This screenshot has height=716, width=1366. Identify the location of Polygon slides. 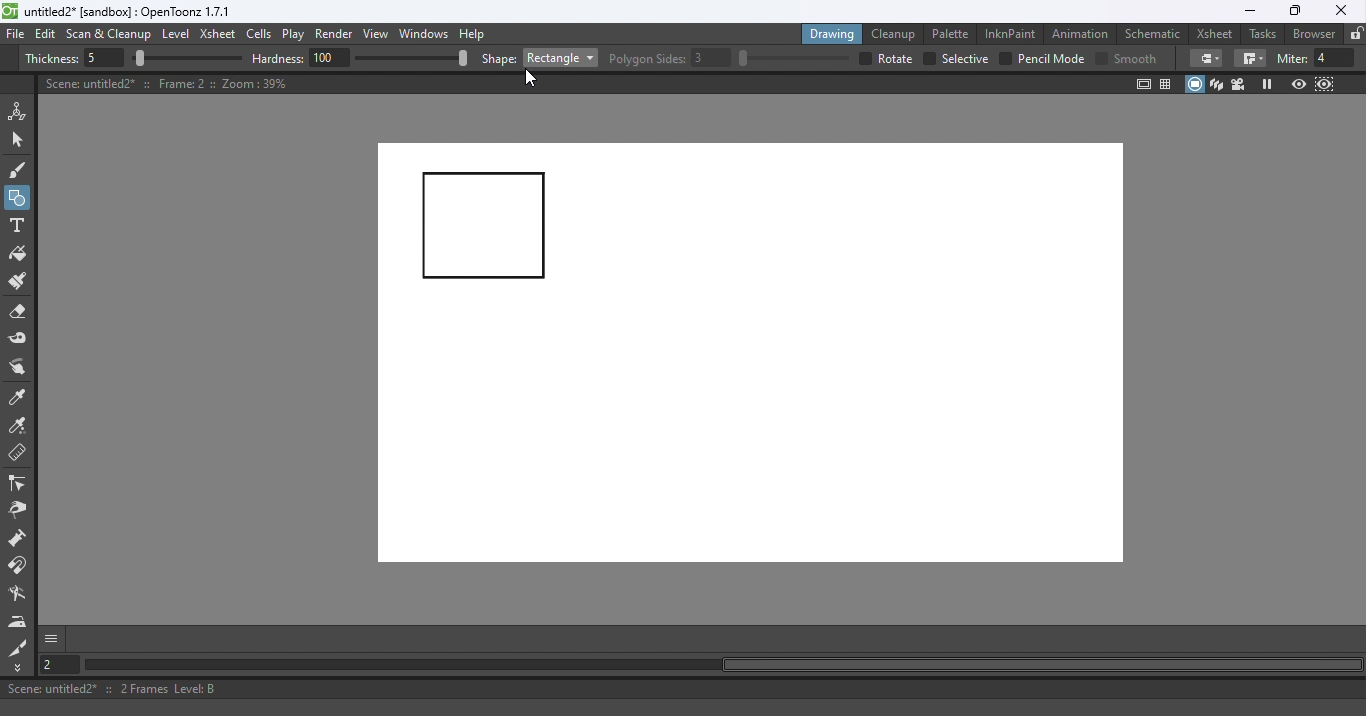
(647, 59).